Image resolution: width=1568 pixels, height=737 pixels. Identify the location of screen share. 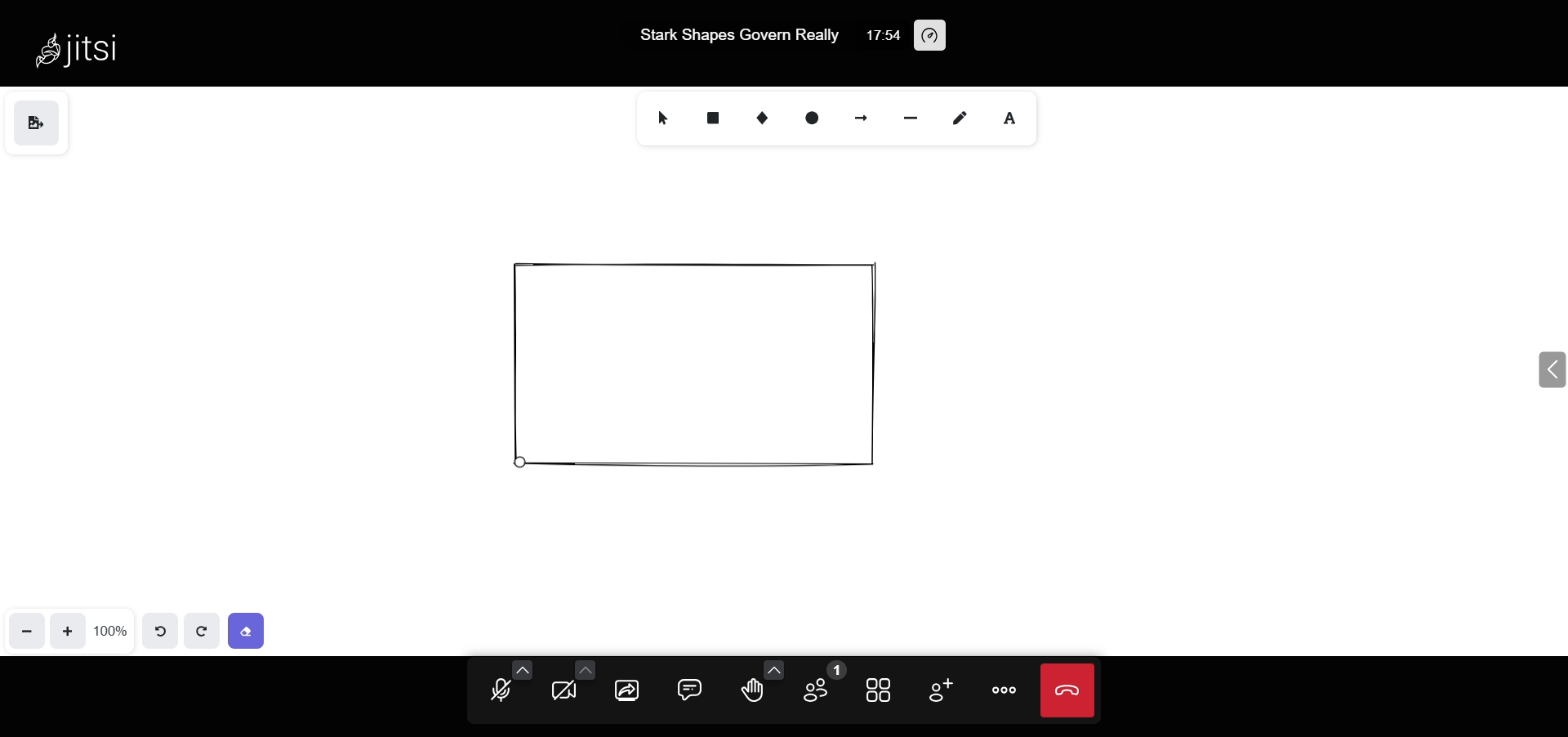
(626, 690).